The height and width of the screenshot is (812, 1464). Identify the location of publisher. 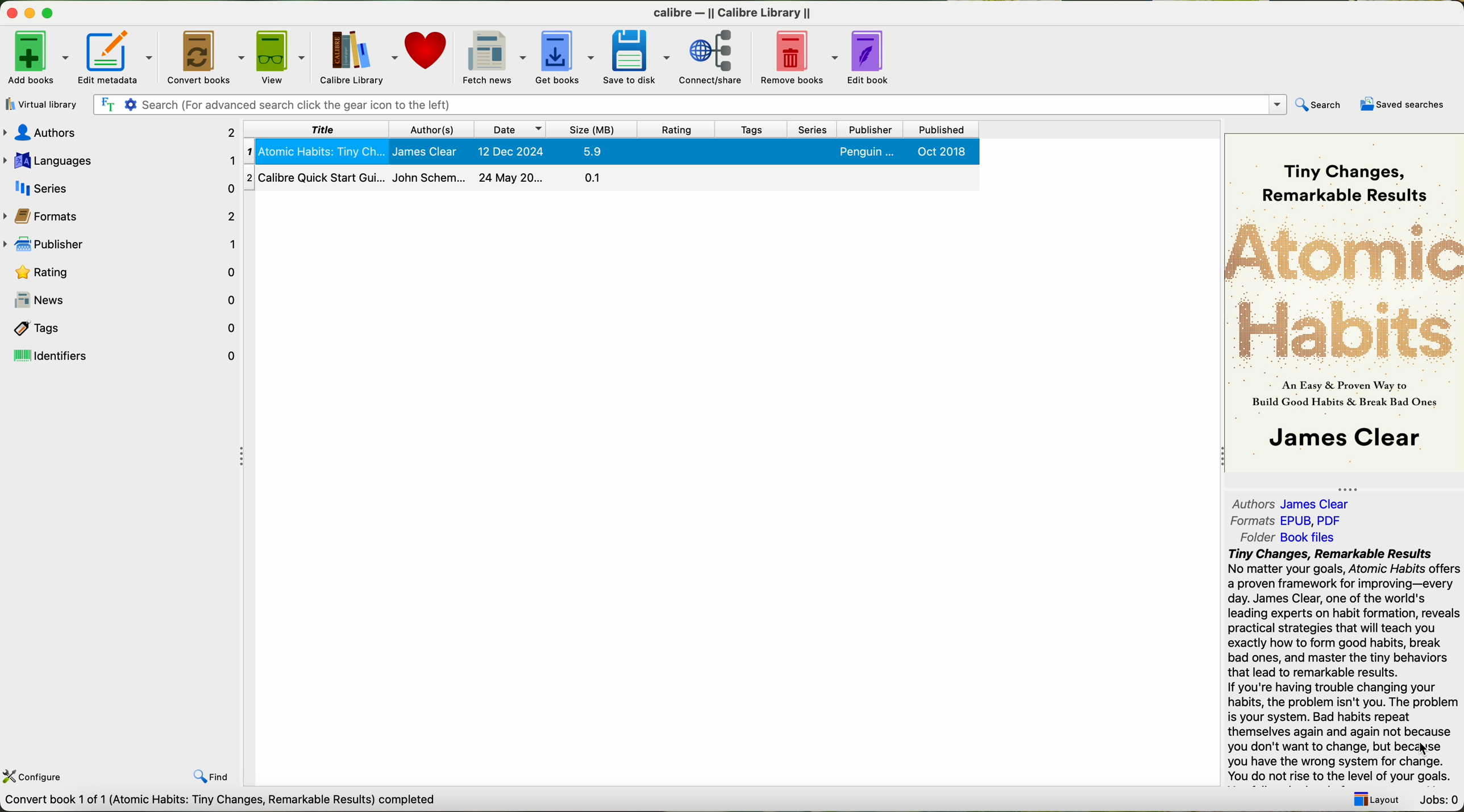
(868, 130).